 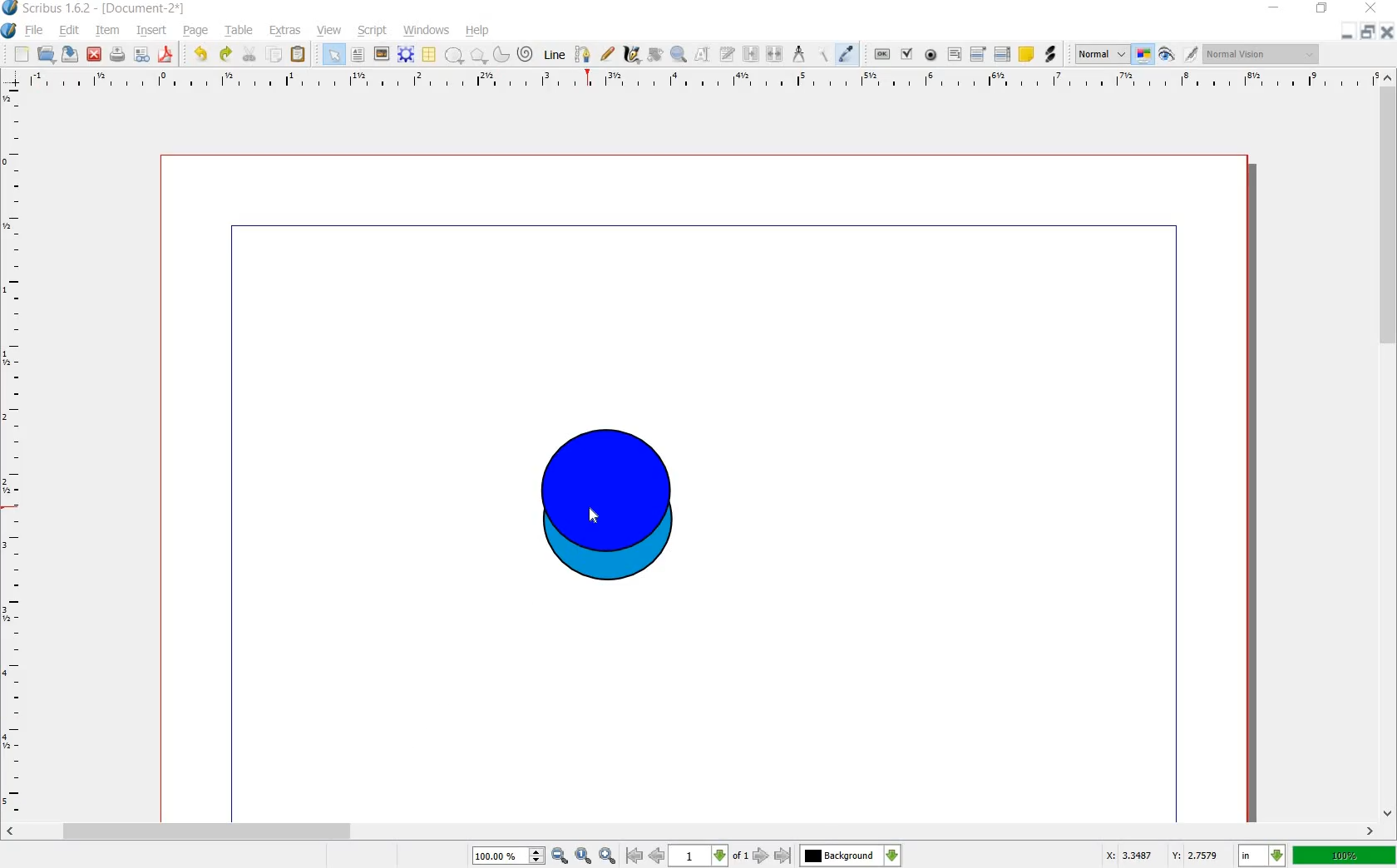 What do you see at coordinates (800, 55) in the screenshot?
I see `measurement` at bounding box center [800, 55].